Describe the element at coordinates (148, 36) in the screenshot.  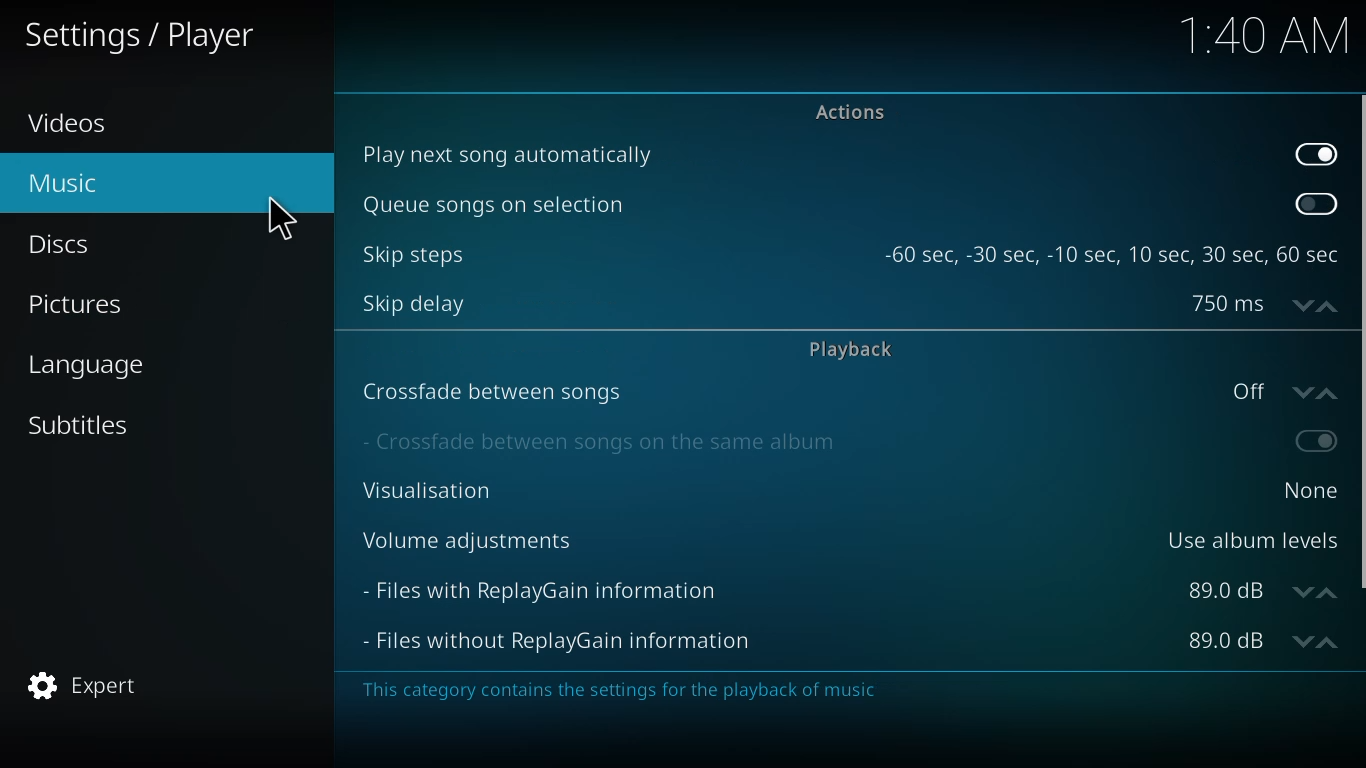
I see `player` at that location.